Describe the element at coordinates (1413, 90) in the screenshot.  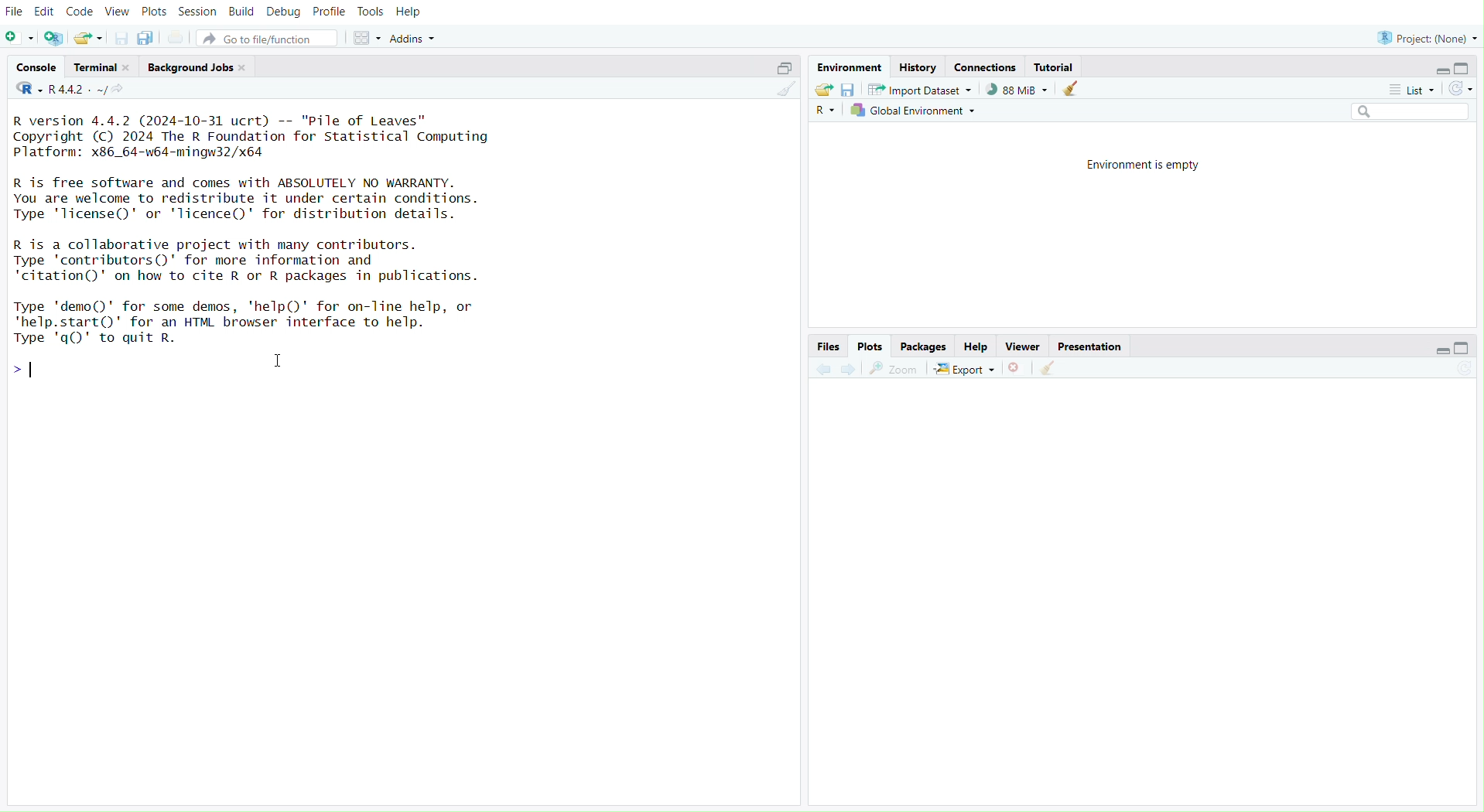
I see `List` at that location.